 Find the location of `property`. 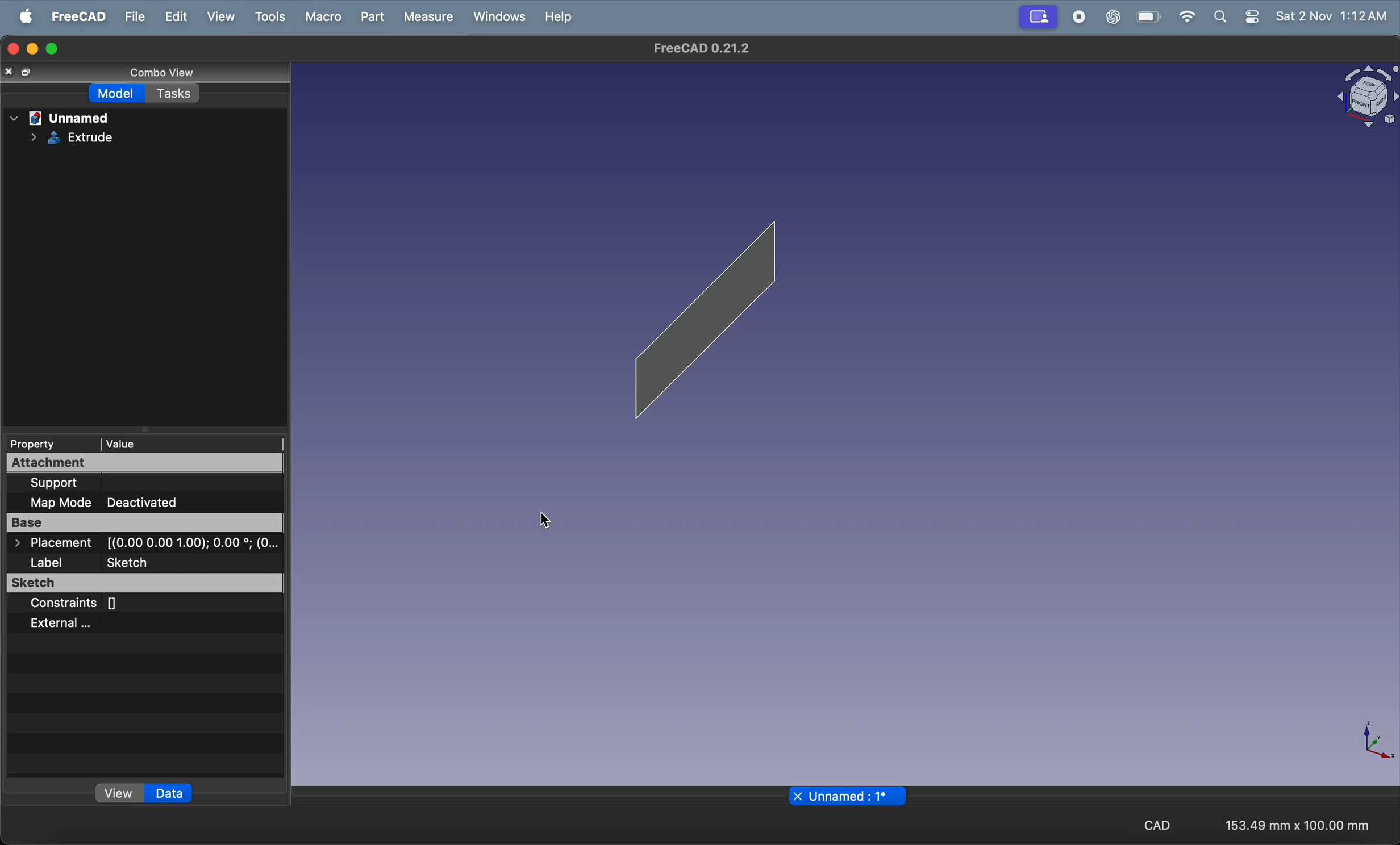

property is located at coordinates (48, 444).